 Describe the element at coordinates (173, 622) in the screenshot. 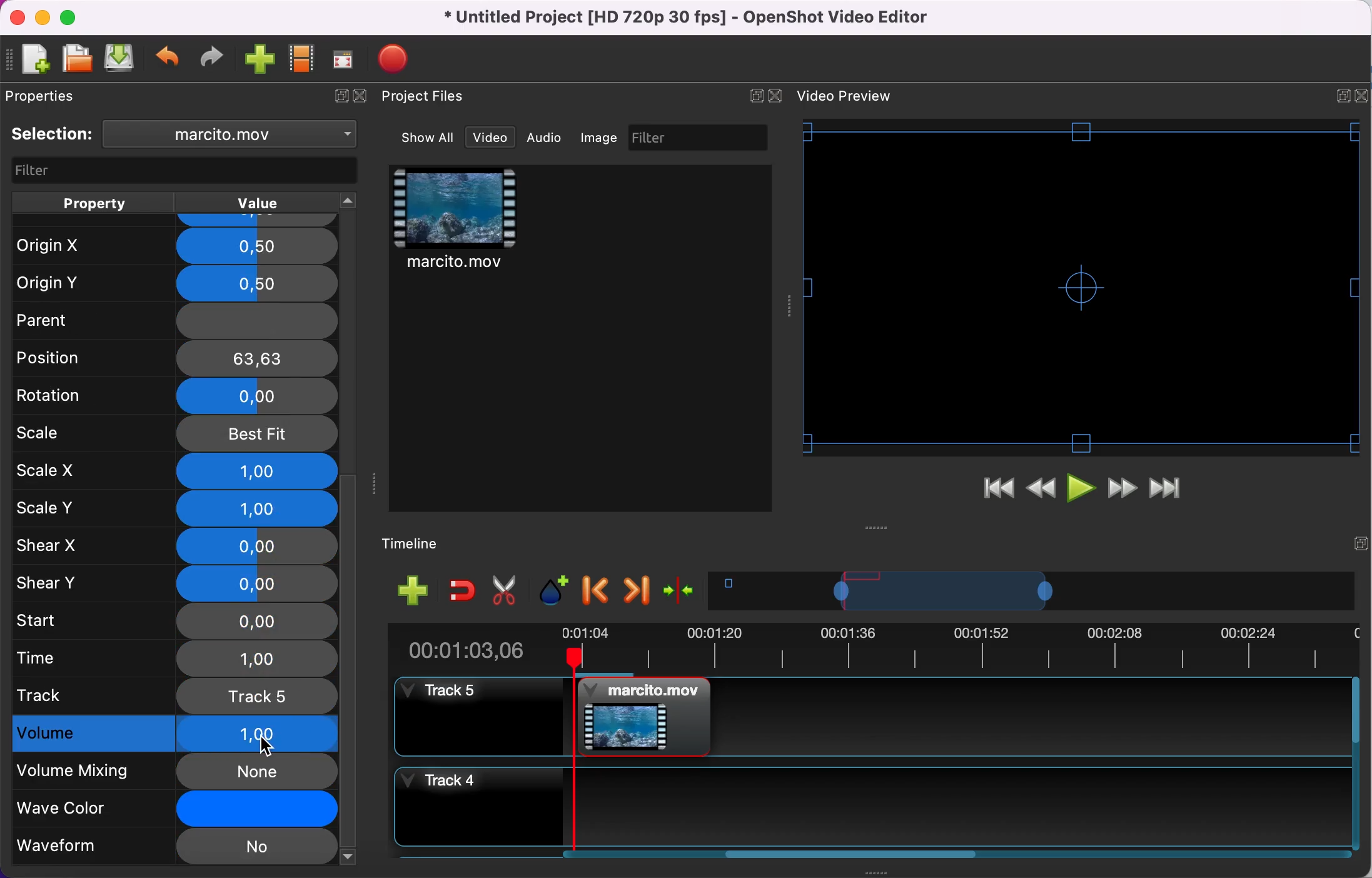

I see `start 0` at that location.